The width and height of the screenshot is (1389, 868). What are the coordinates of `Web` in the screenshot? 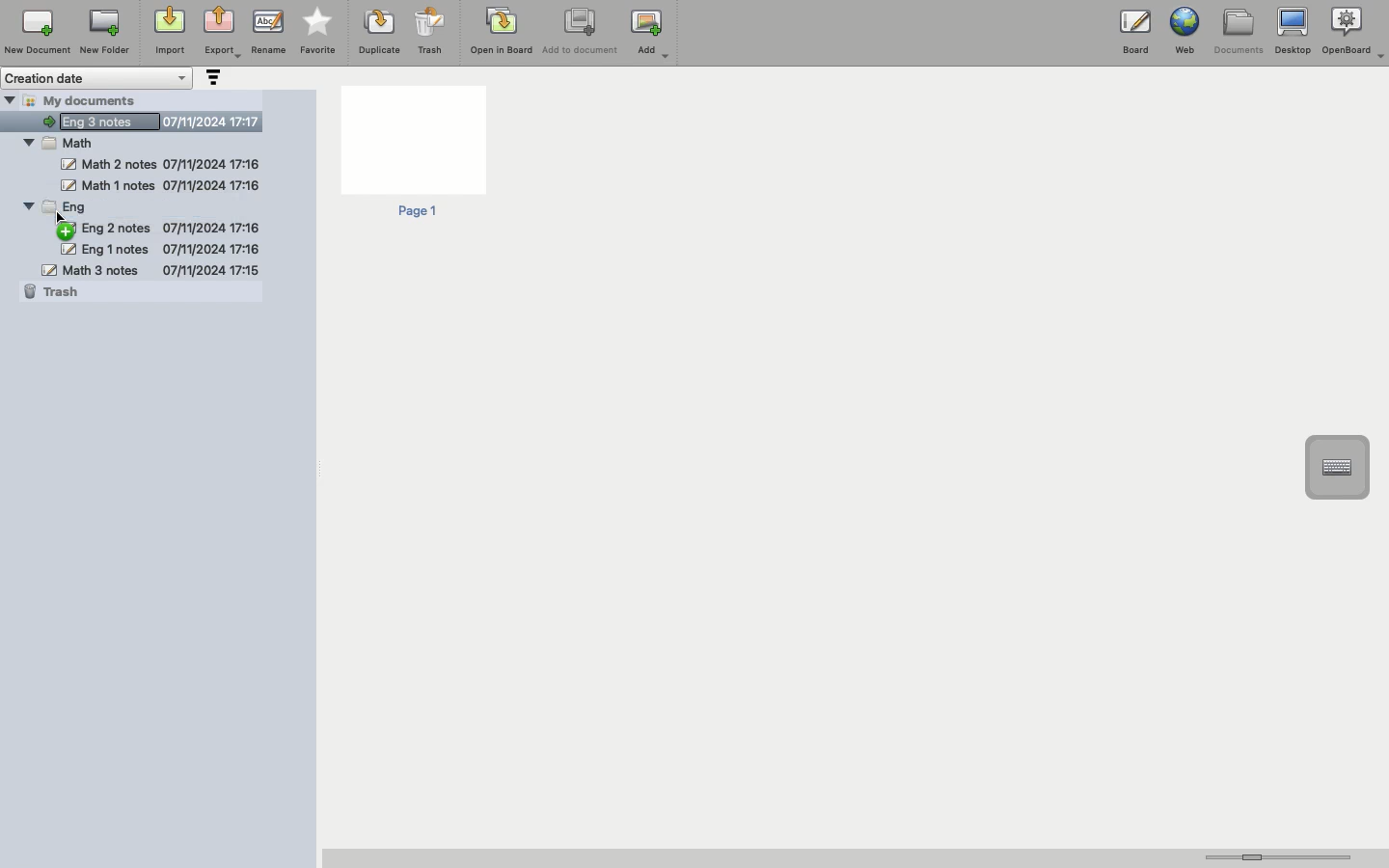 It's located at (1183, 31).